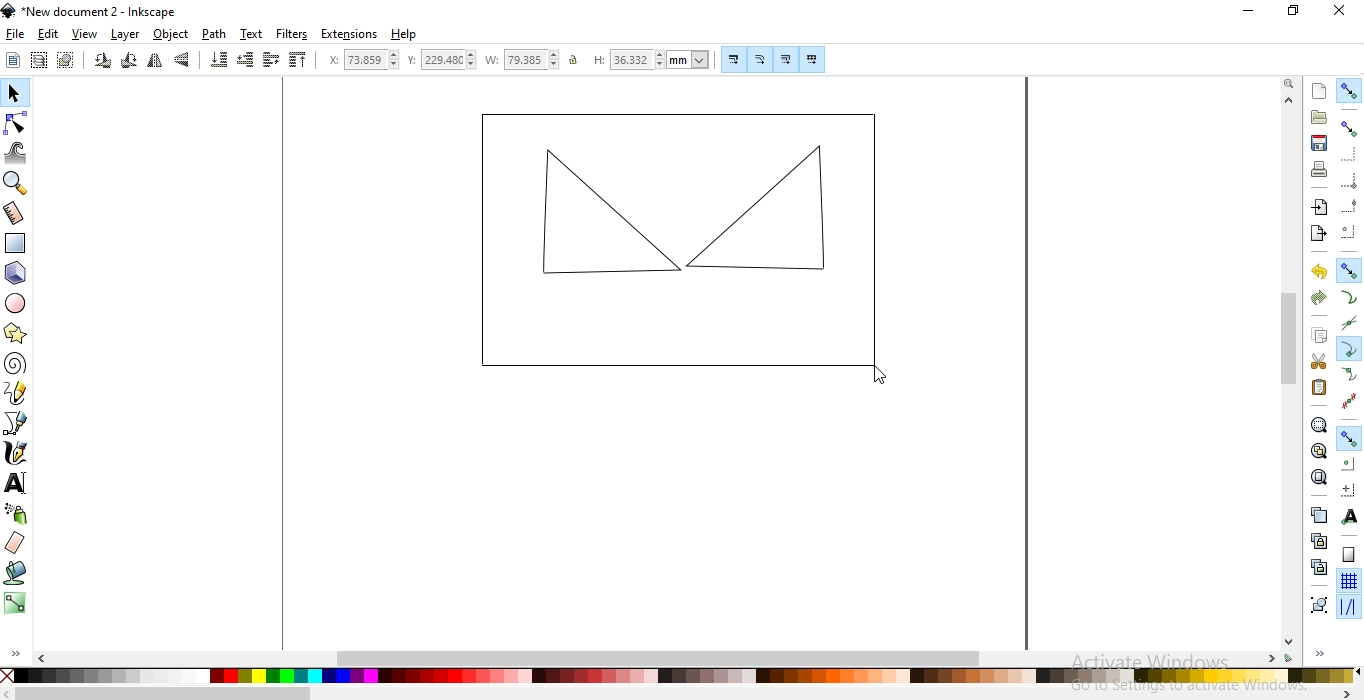 The height and width of the screenshot is (700, 1364). I want to click on create circles, arcs and ellipses, so click(17, 302).